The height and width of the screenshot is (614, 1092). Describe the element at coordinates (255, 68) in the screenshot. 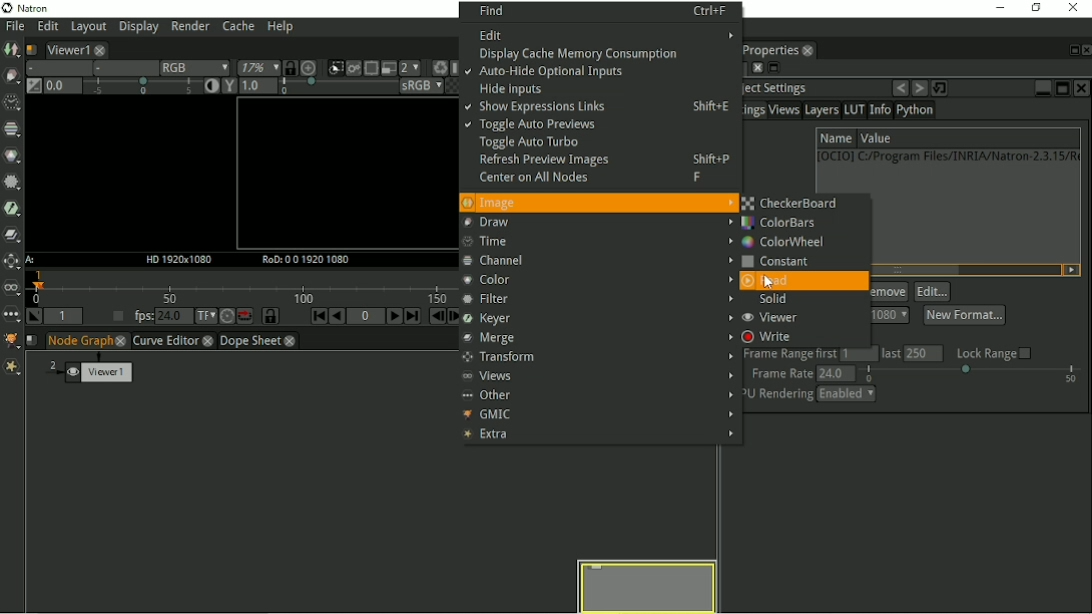

I see `Zoom` at that location.